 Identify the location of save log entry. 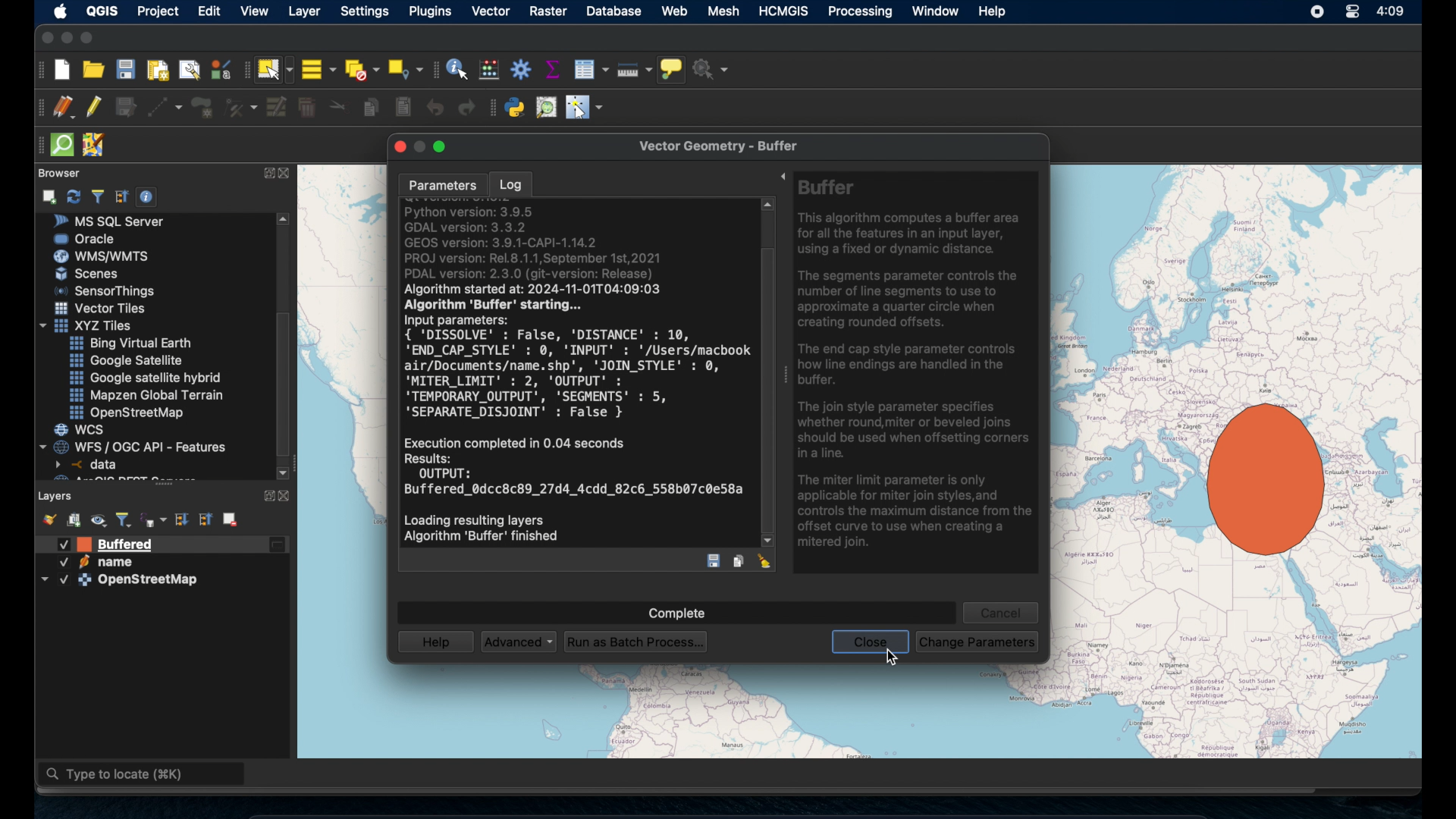
(714, 561).